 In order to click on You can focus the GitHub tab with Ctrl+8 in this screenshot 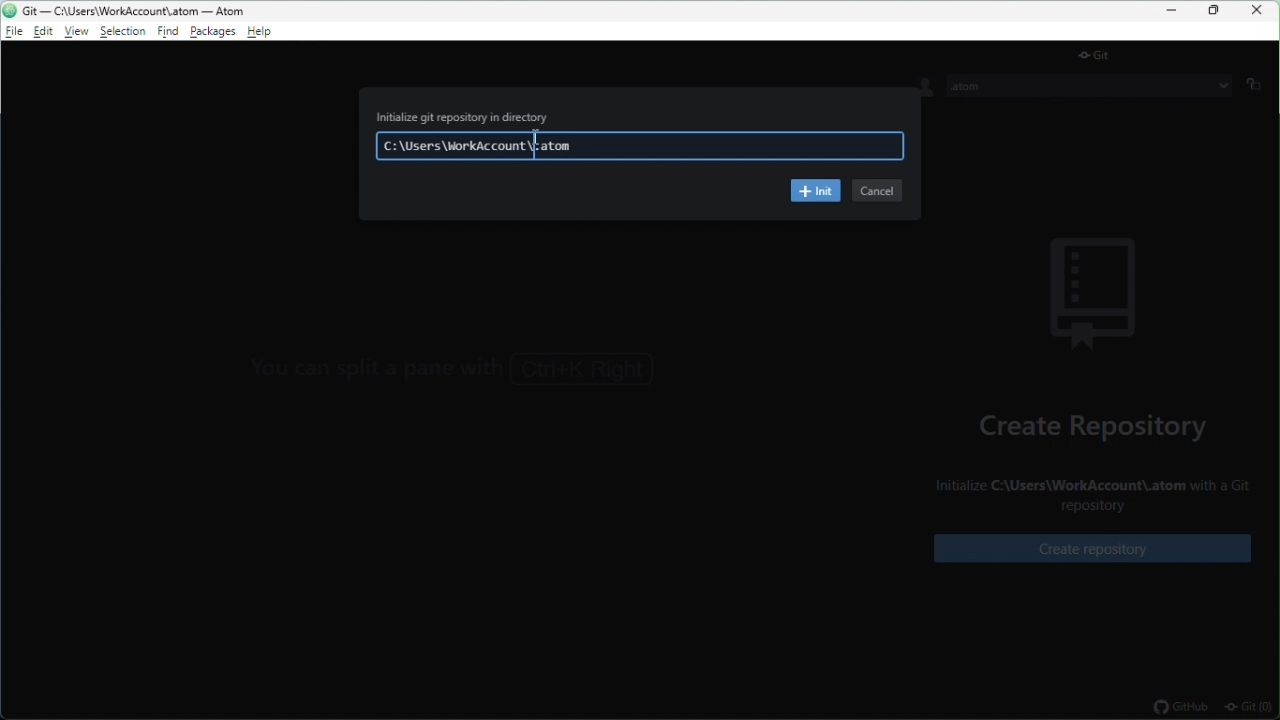, I will do `click(457, 359)`.